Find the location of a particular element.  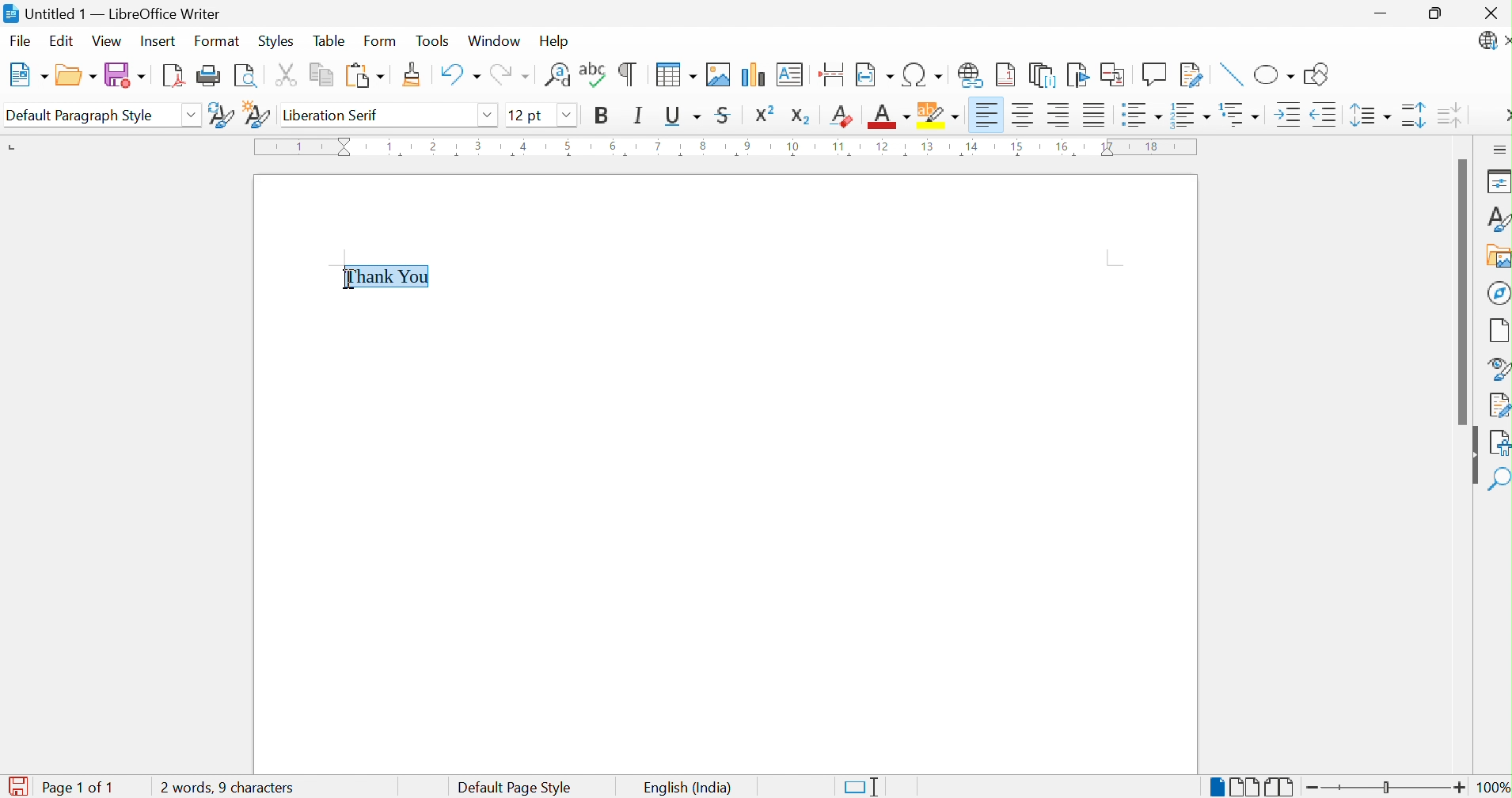

Edit is located at coordinates (63, 42).